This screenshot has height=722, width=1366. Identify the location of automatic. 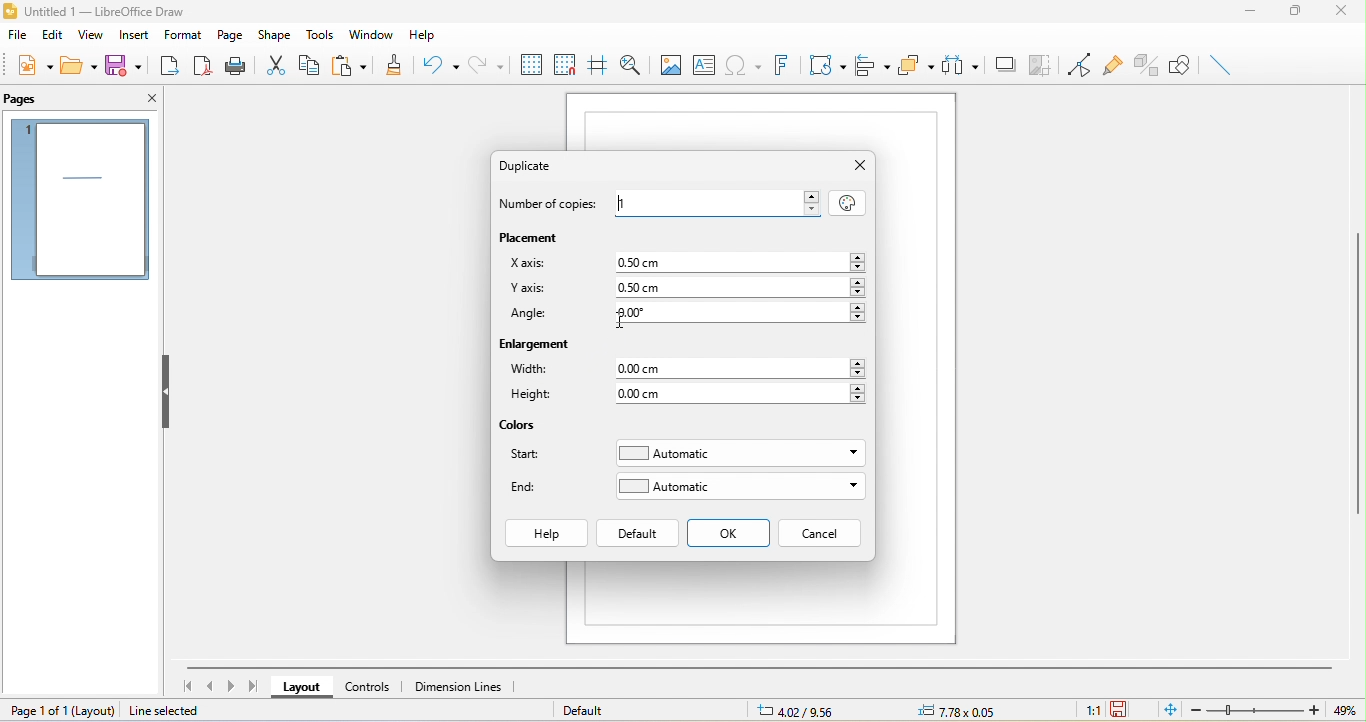
(740, 486).